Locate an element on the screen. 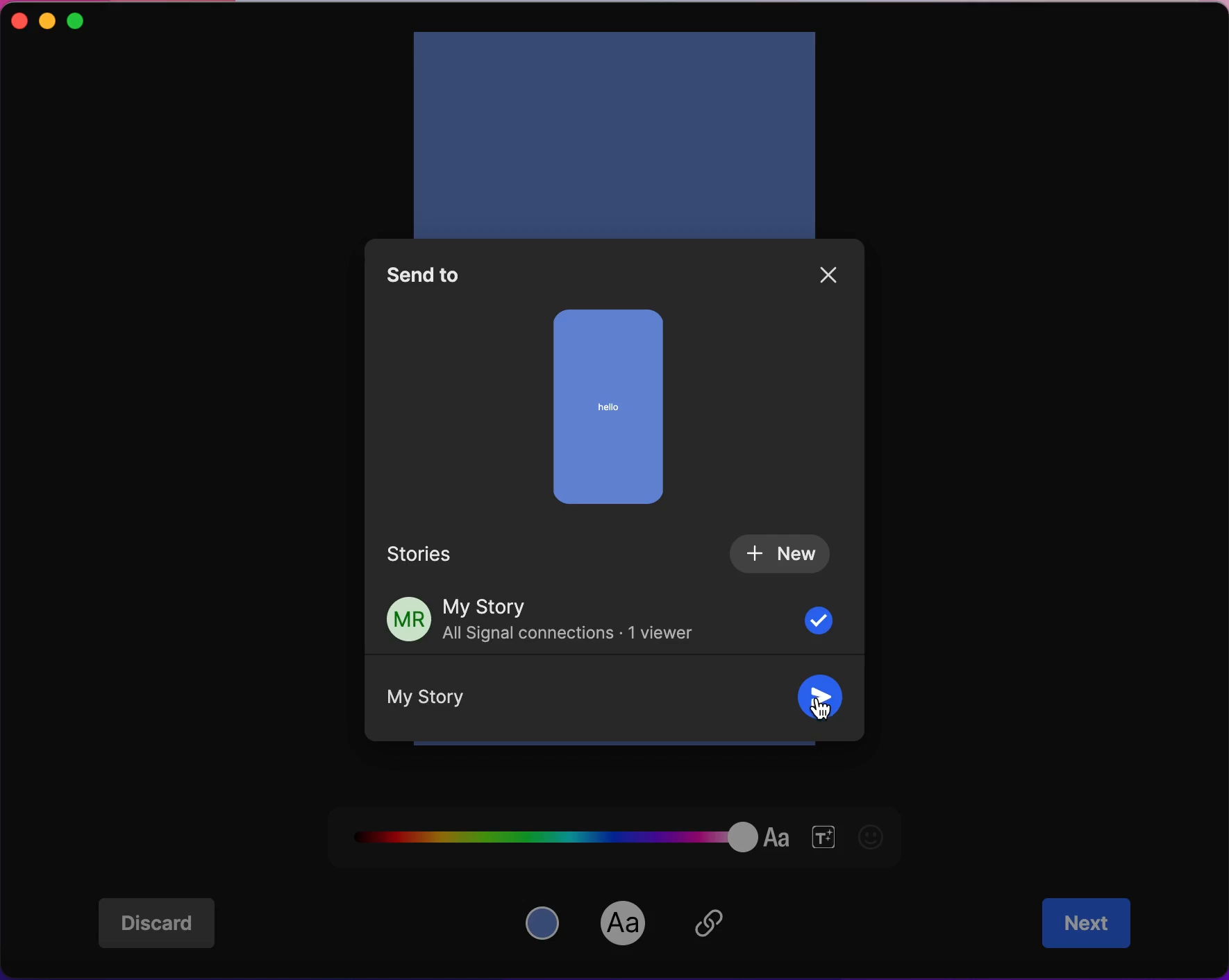  discard is located at coordinates (165, 924).